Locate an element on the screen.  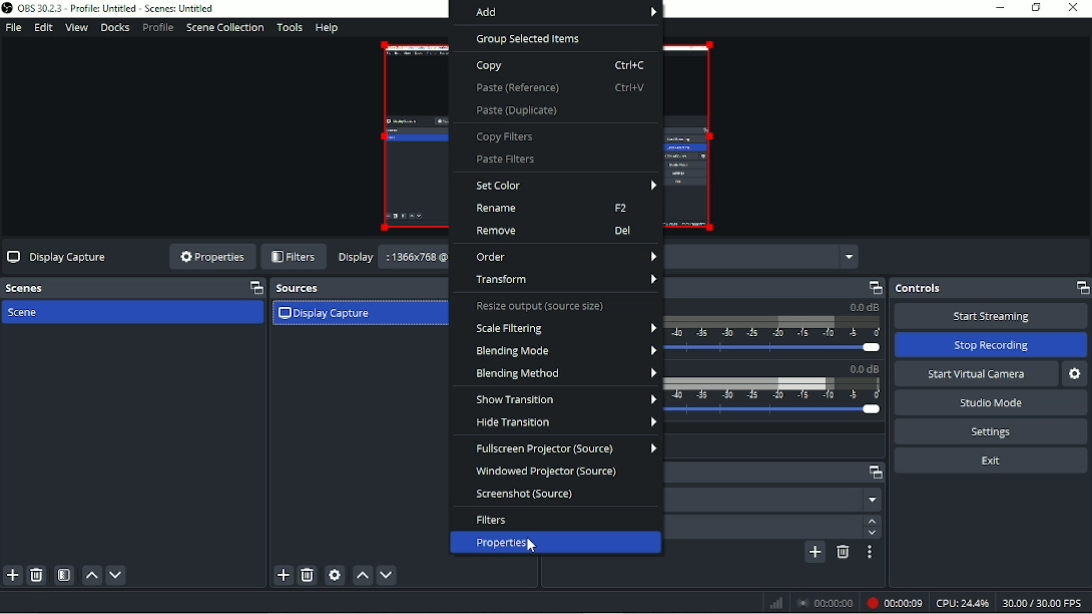
Minimize is located at coordinates (1001, 7).